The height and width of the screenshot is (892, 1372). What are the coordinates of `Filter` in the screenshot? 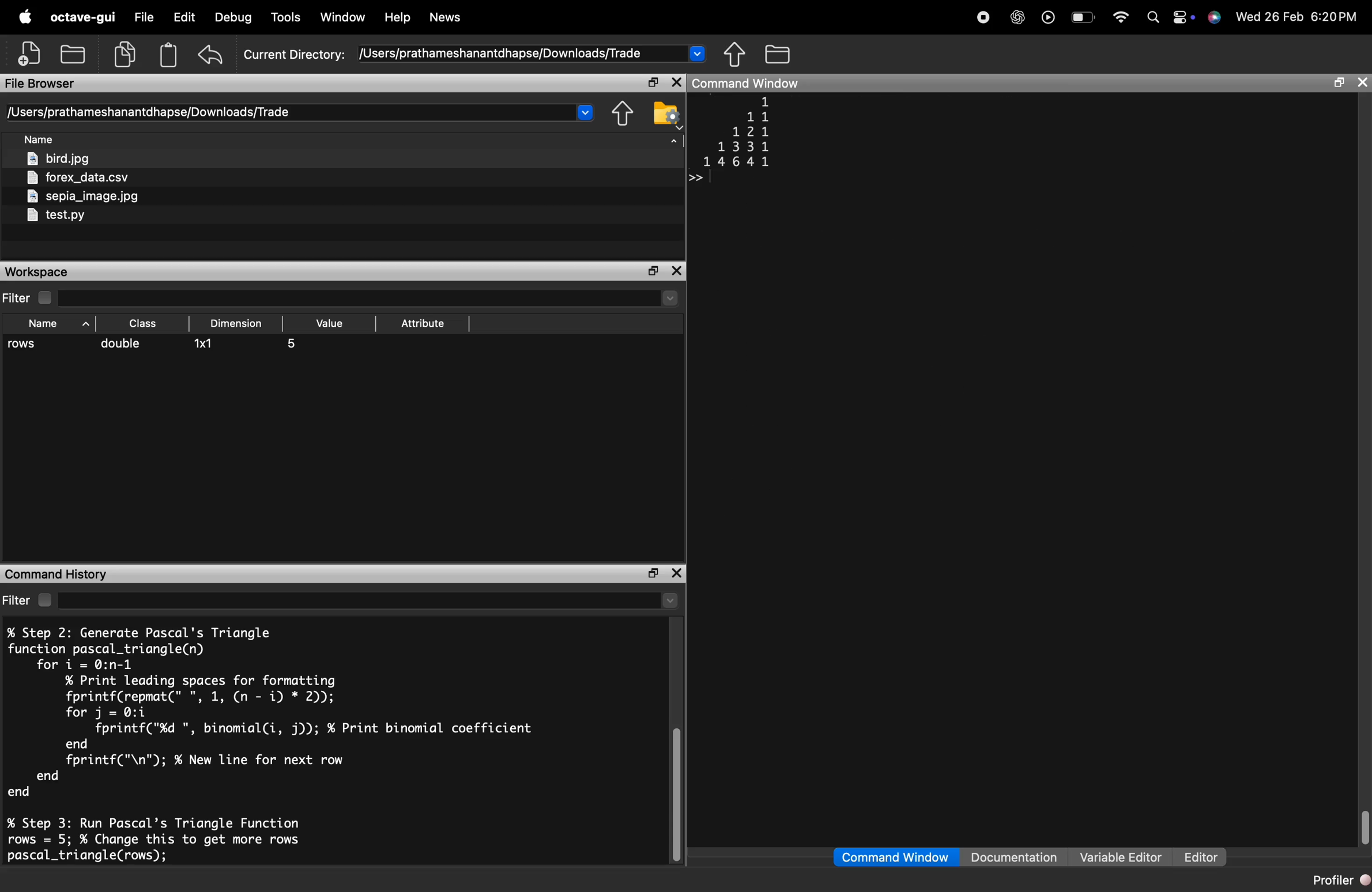 It's located at (32, 600).